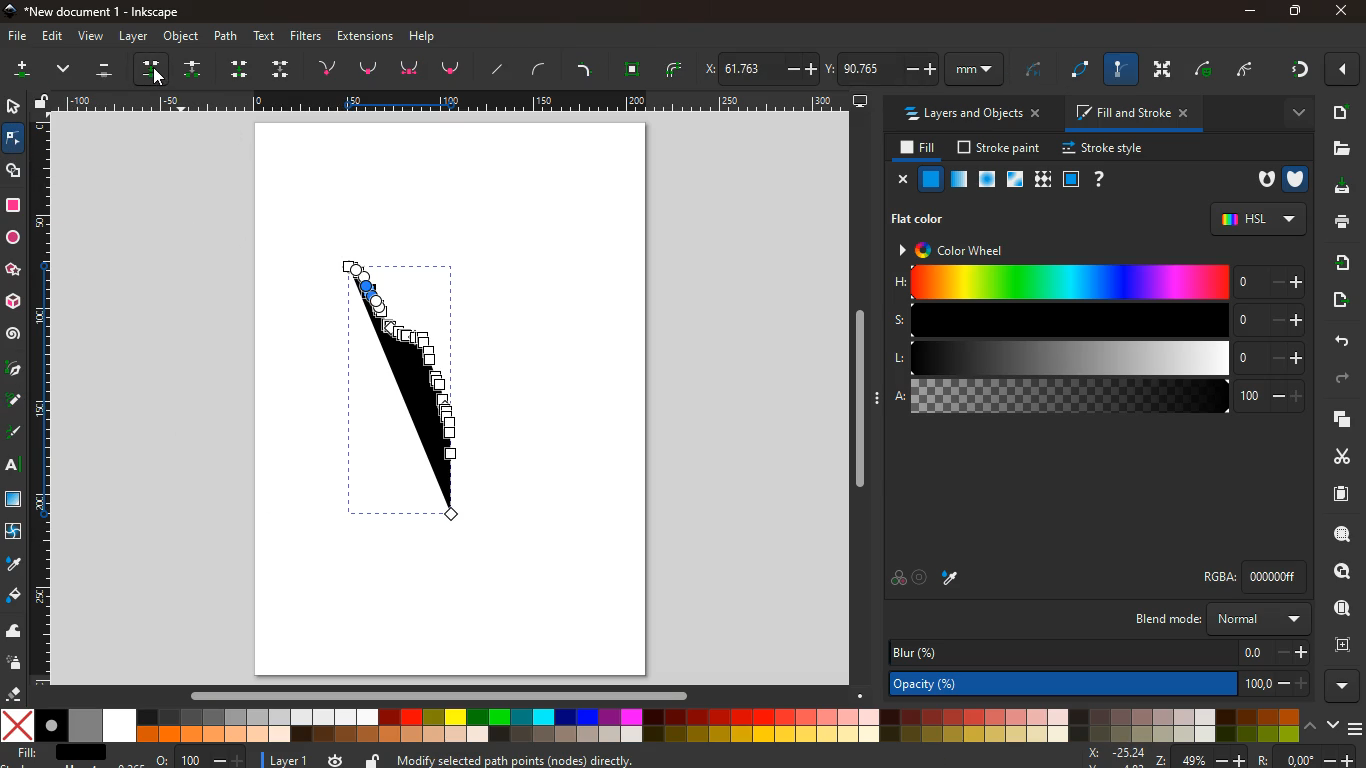 The width and height of the screenshot is (1366, 768). I want to click on blend mode, so click(1225, 619).